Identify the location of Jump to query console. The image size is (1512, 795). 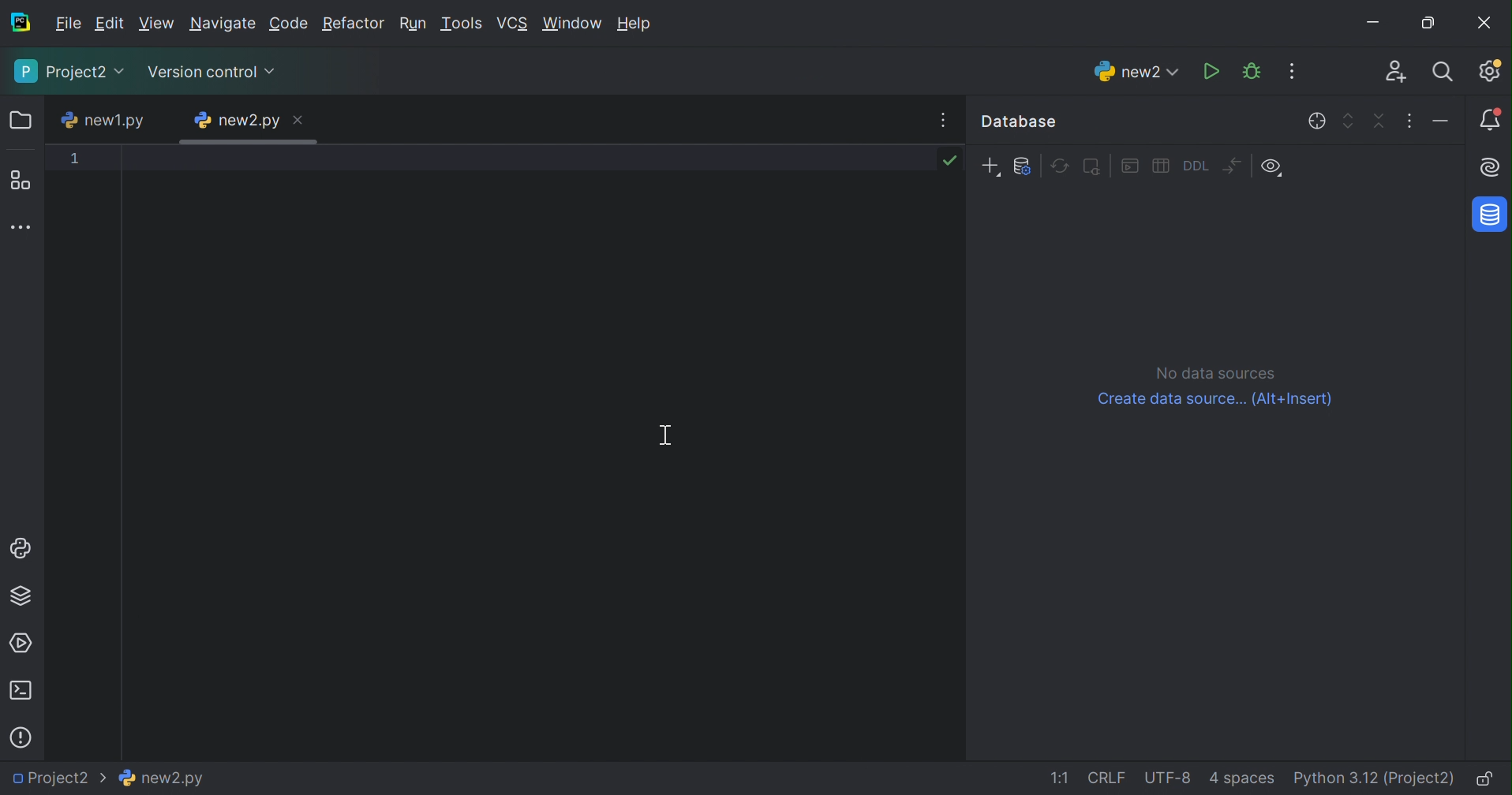
(1130, 163).